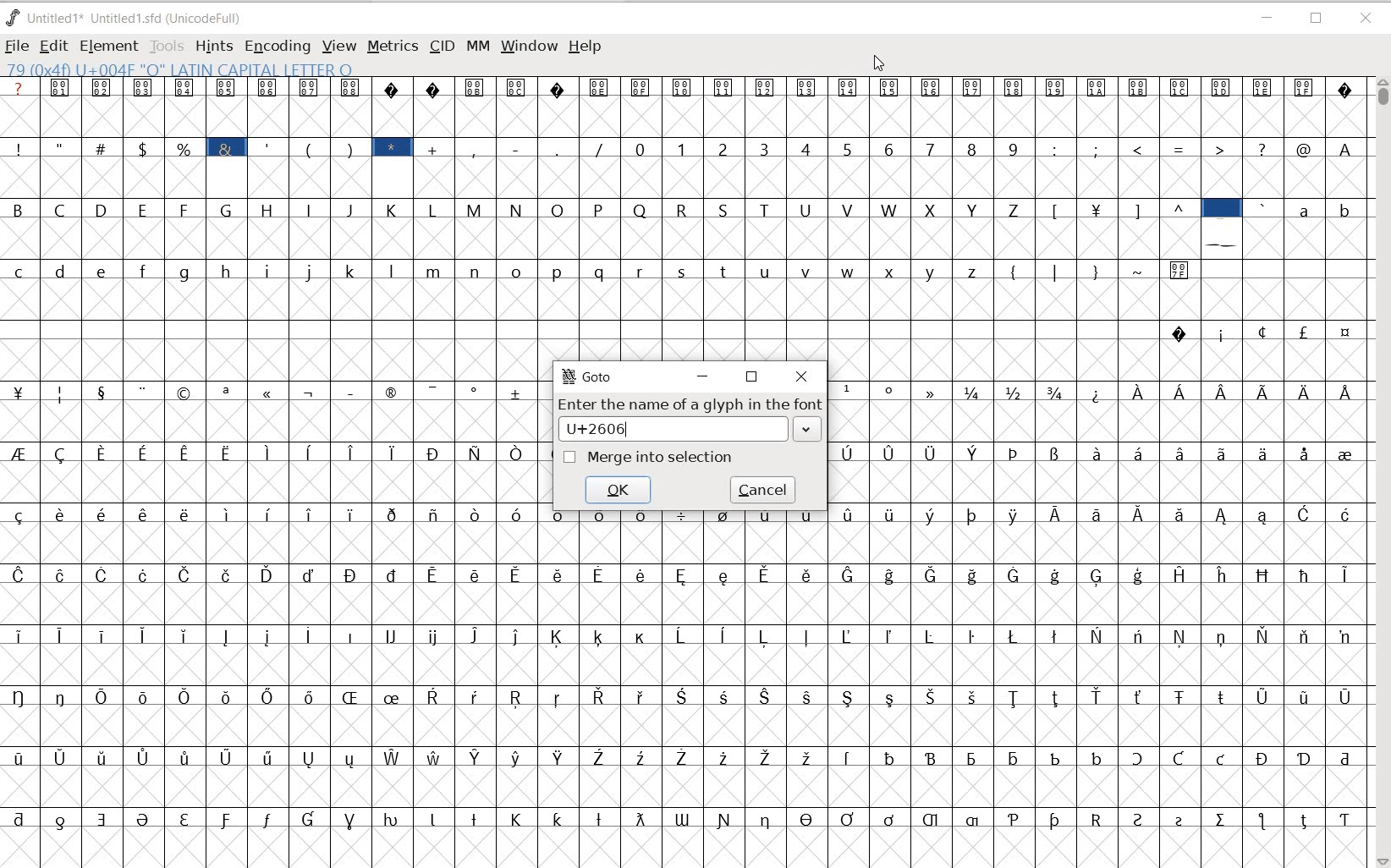 The height and width of the screenshot is (868, 1391). Describe the element at coordinates (214, 47) in the screenshot. I see `HINTS` at that location.